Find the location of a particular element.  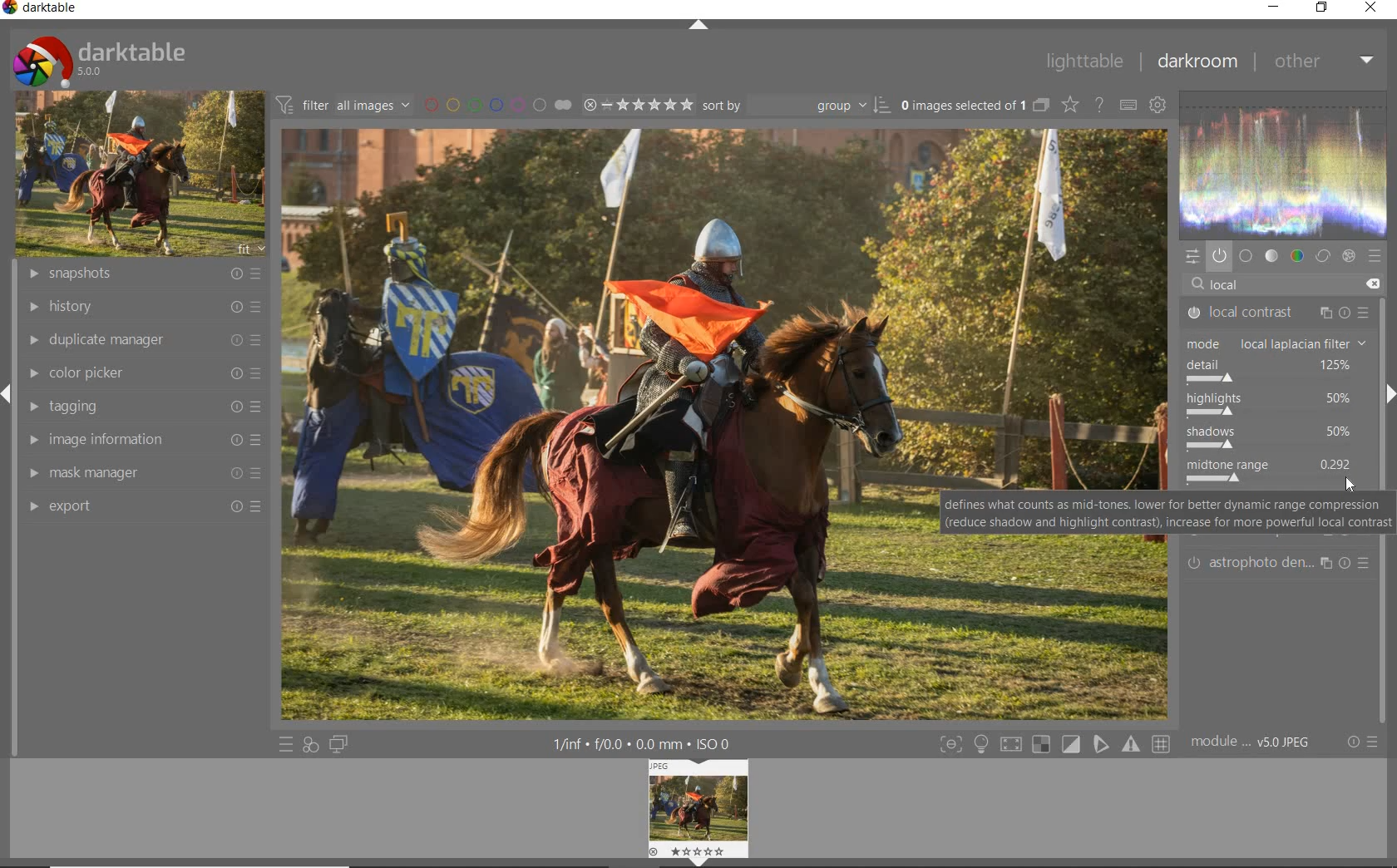

lighttable is located at coordinates (1086, 61).